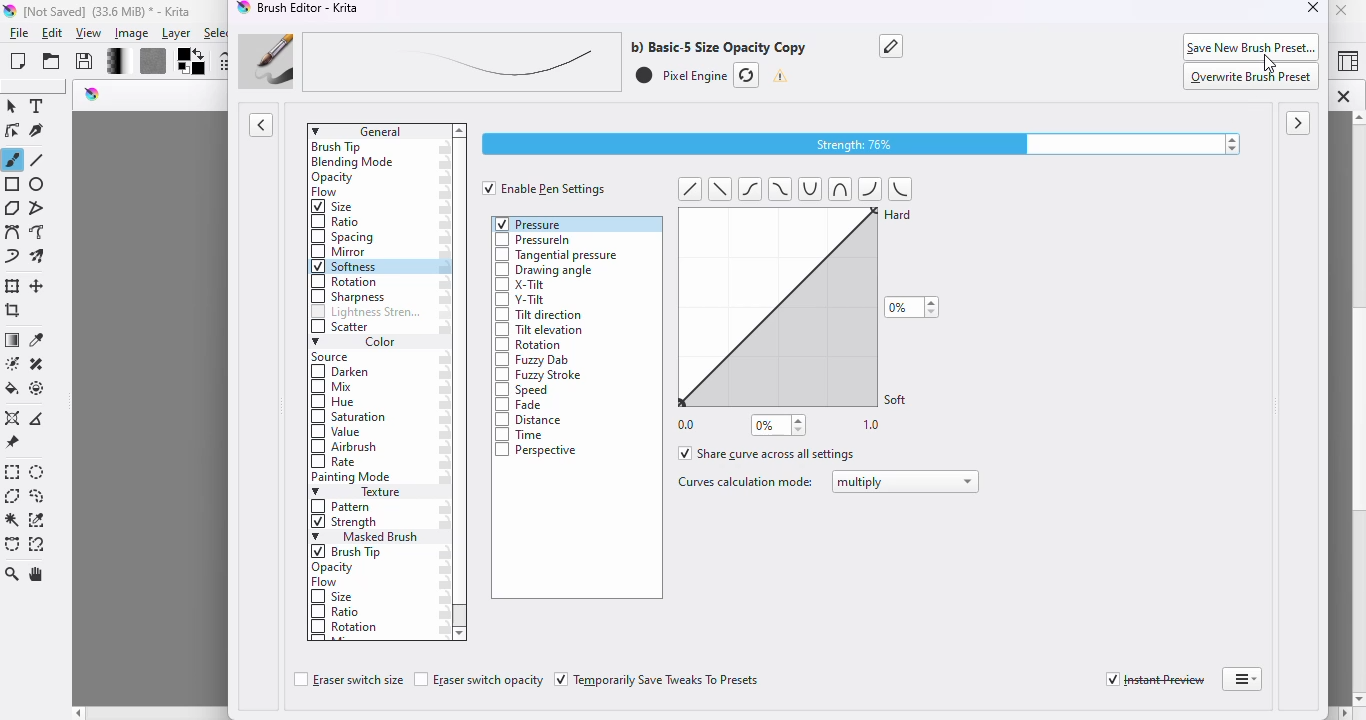 The image size is (1366, 720). I want to click on perspective, so click(537, 450).